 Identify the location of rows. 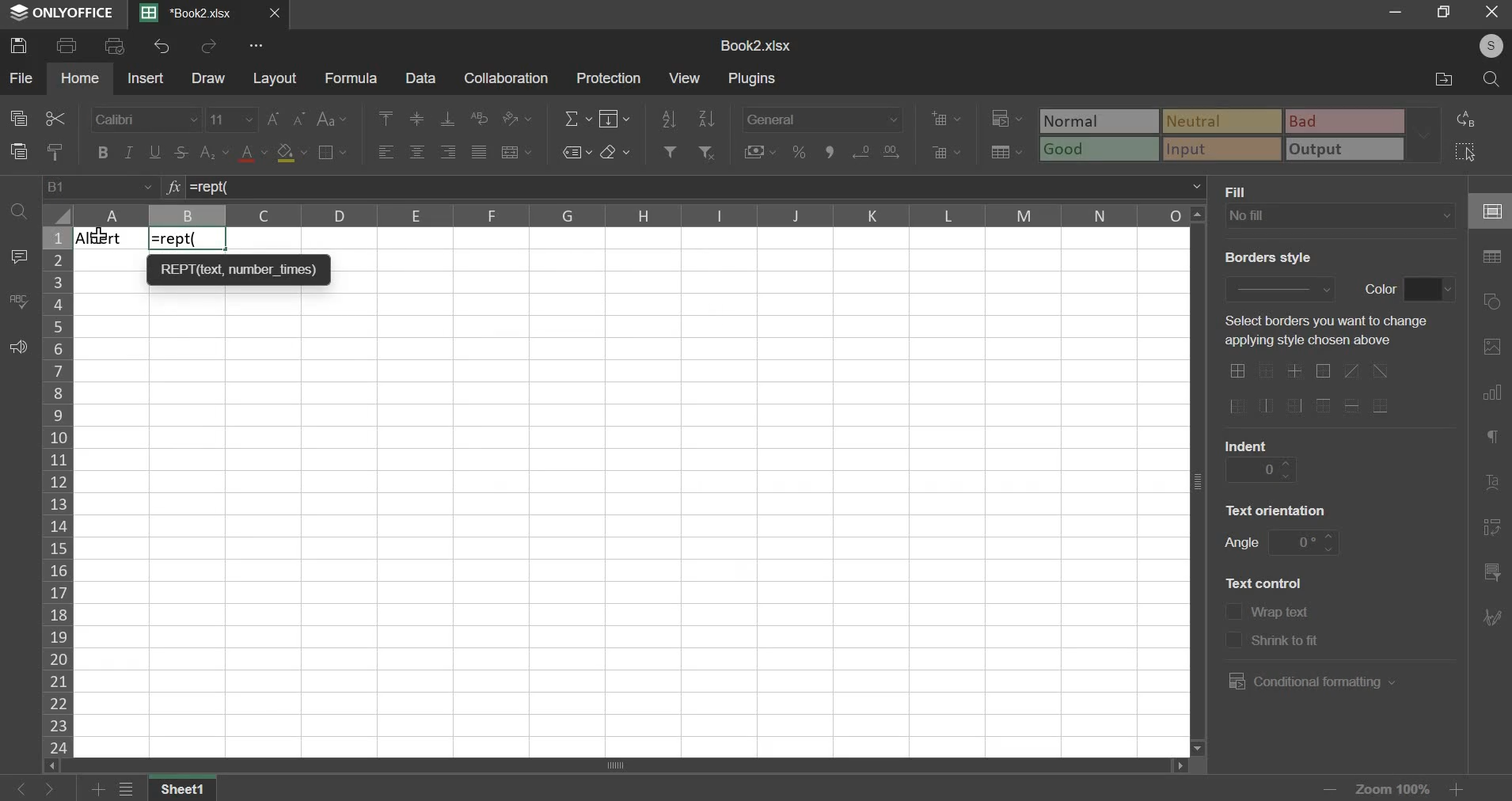
(56, 489).